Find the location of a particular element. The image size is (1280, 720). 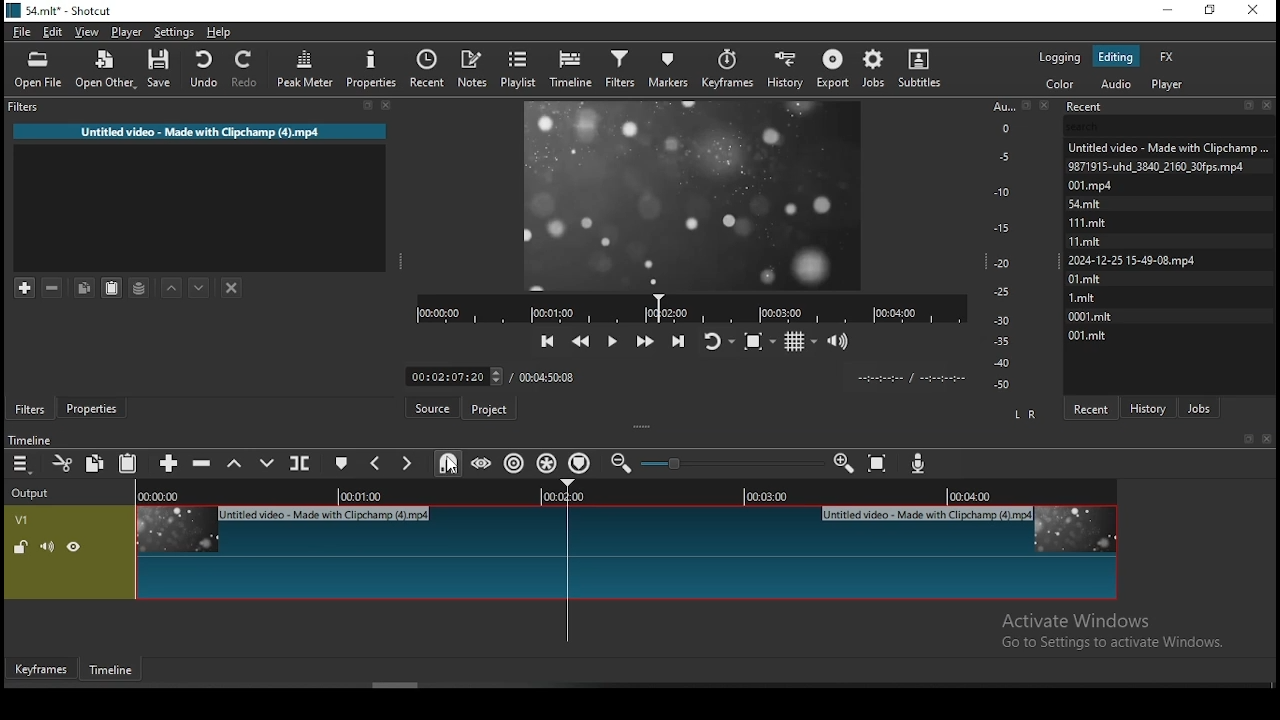

time format is located at coordinates (915, 378).